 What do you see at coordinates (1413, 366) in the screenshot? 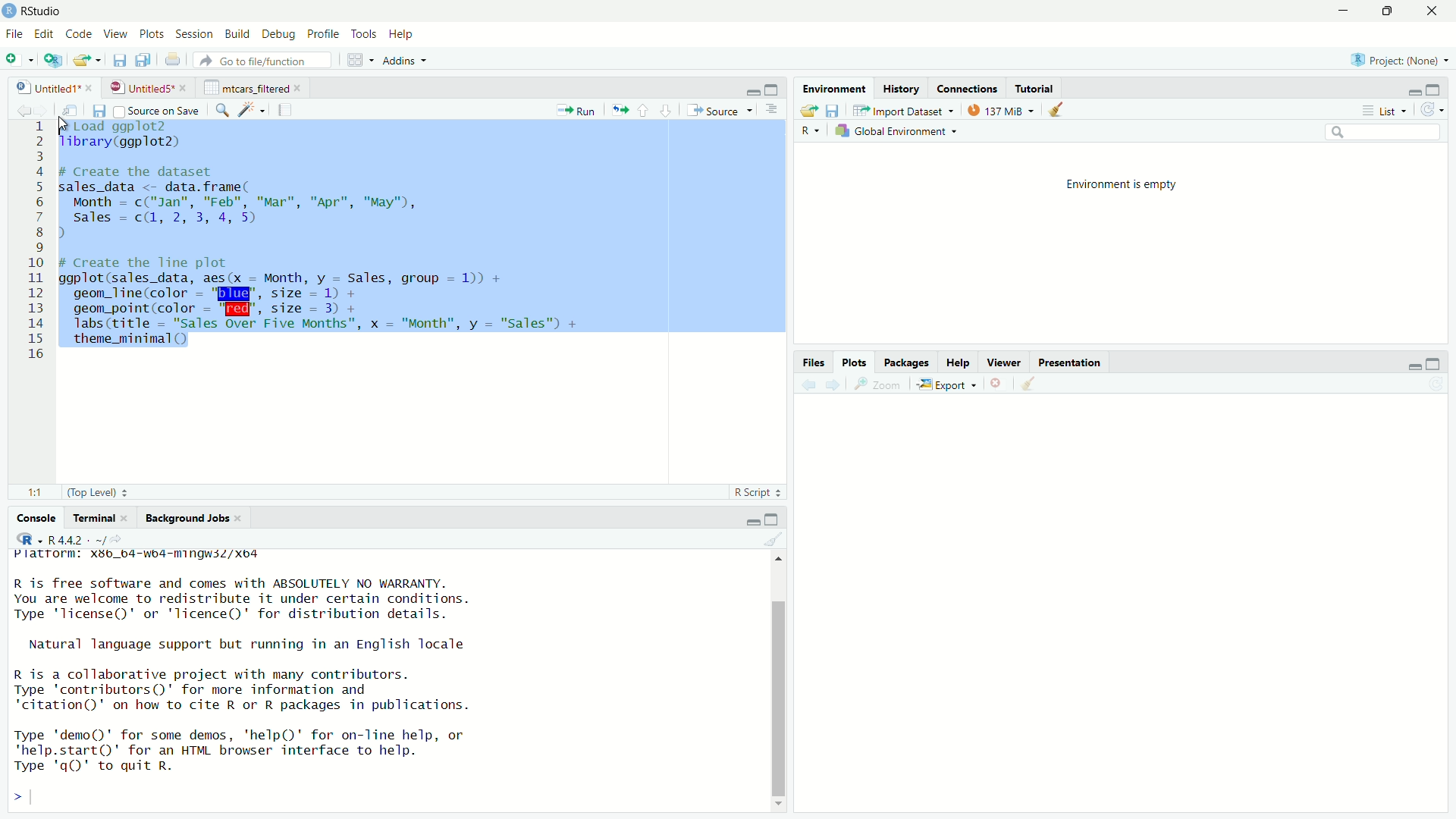
I see `minimize` at bounding box center [1413, 366].